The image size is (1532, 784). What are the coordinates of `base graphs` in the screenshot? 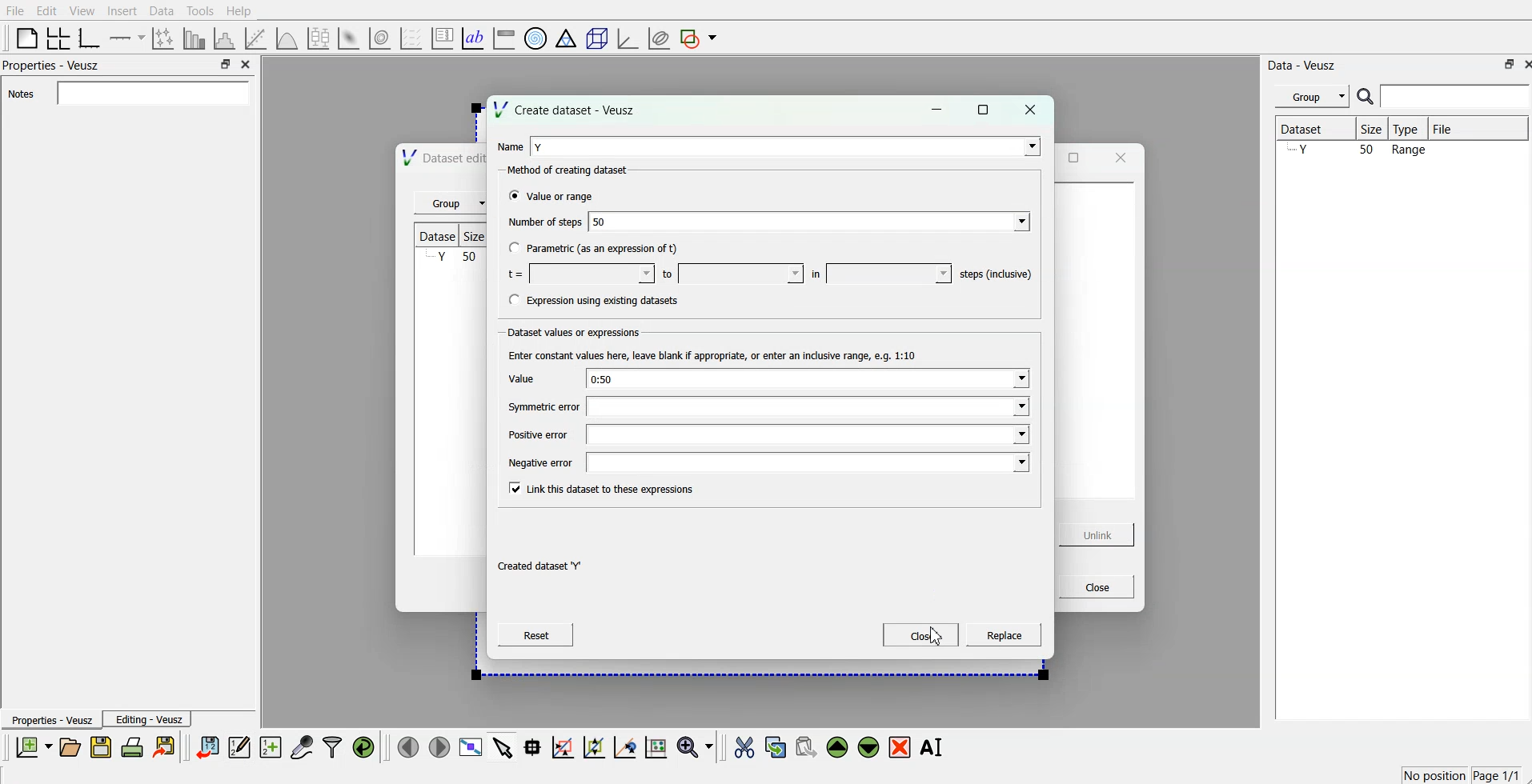 It's located at (92, 36).